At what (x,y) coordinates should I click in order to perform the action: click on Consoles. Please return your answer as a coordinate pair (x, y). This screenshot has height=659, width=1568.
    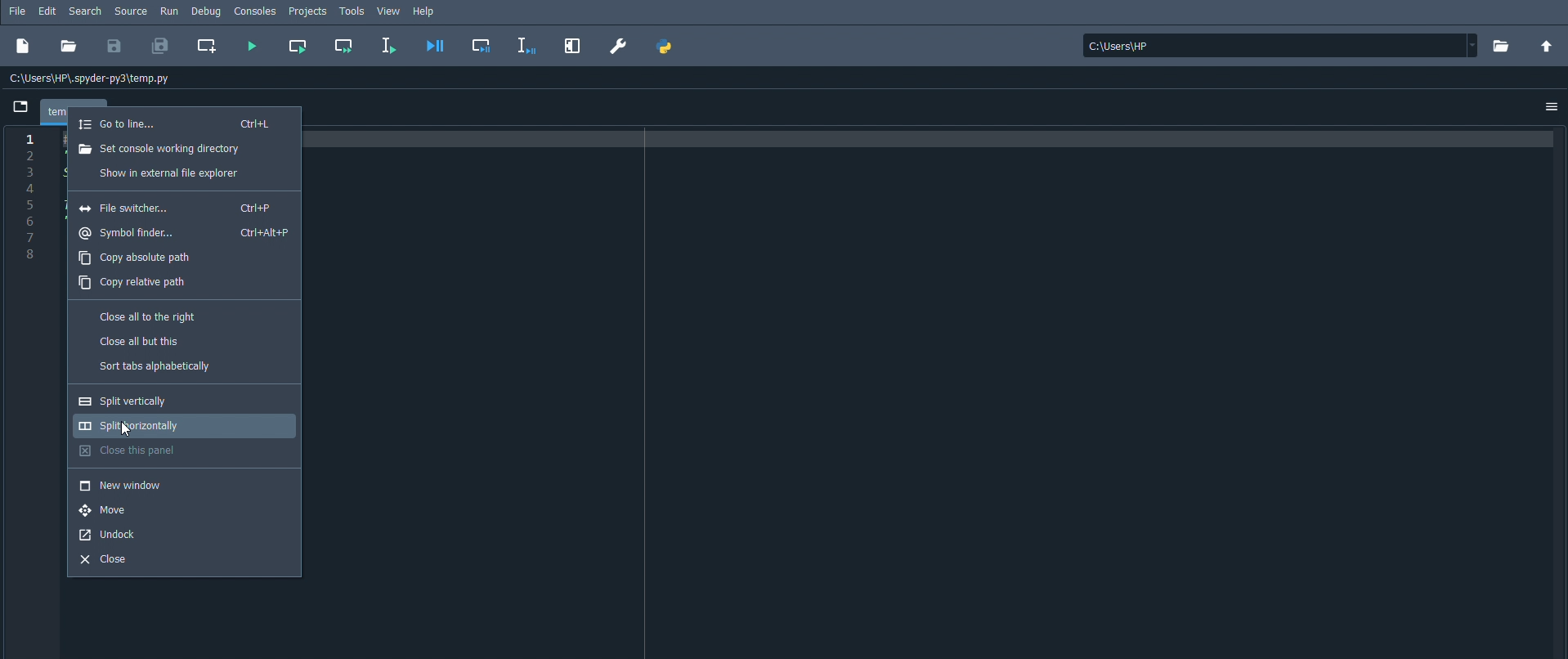
    Looking at the image, I should click on (255, 11).